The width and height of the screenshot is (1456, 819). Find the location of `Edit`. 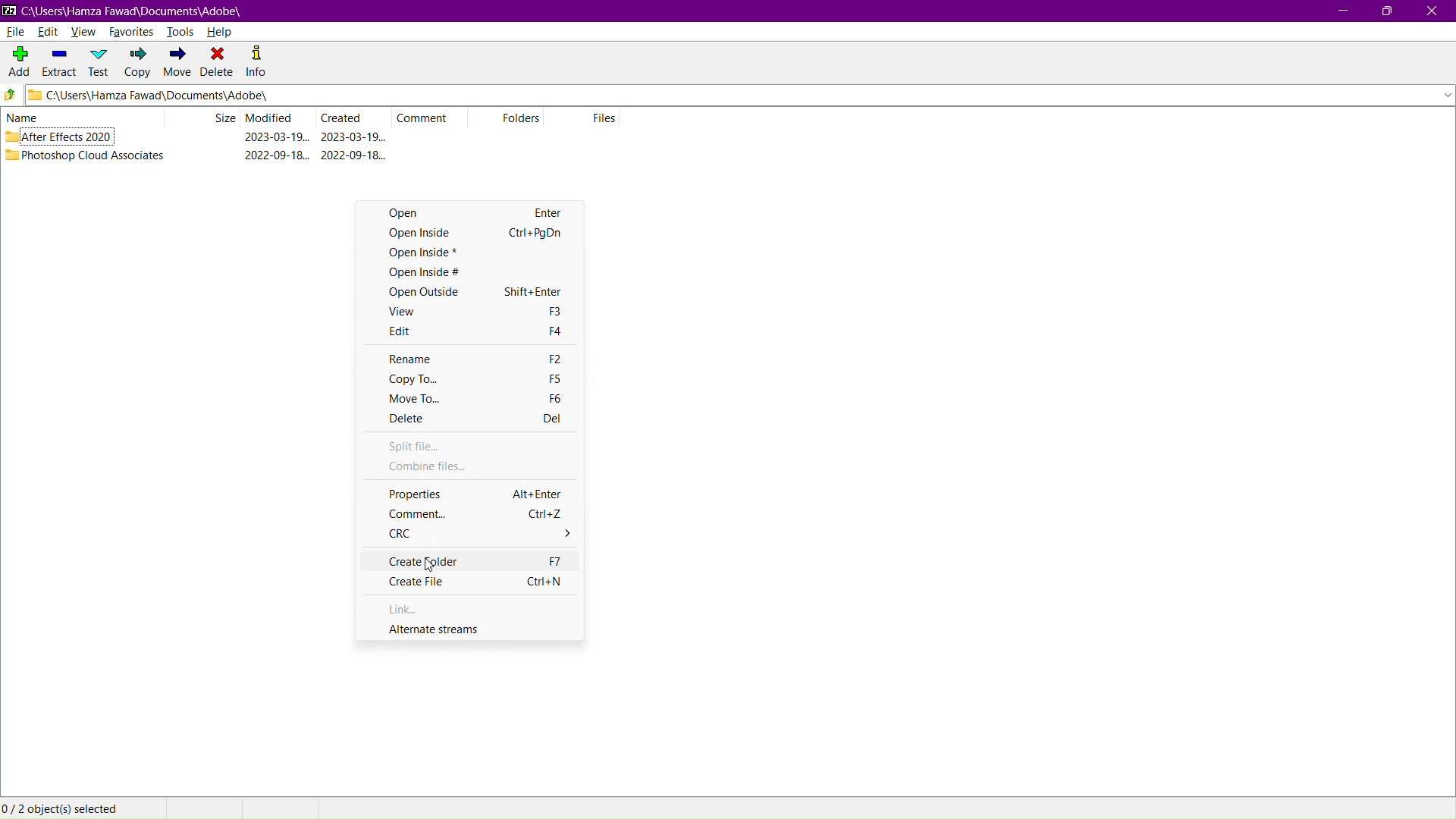

Edit is located at coordinates (49, 31).